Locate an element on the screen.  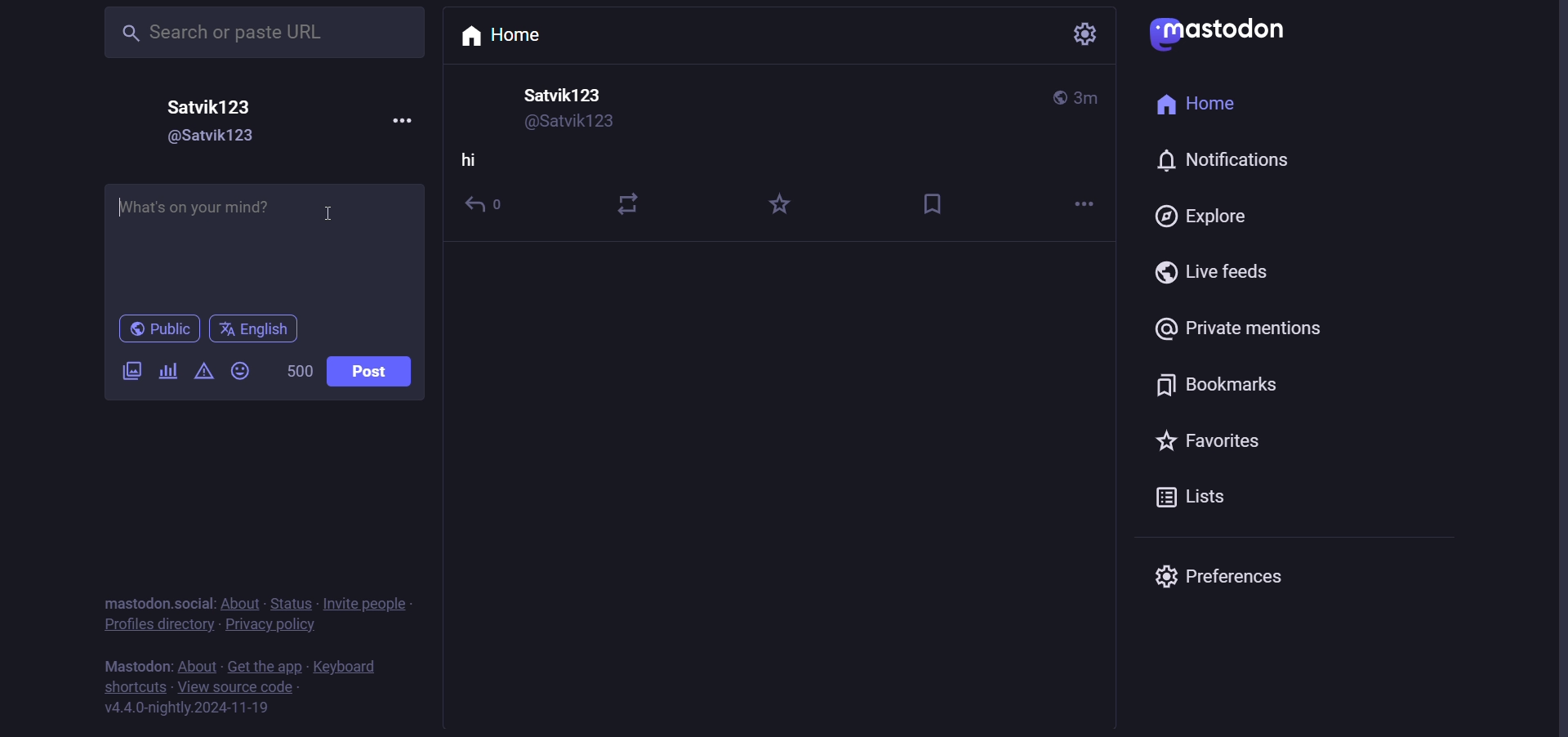
user is located at coordinates (212, 107).